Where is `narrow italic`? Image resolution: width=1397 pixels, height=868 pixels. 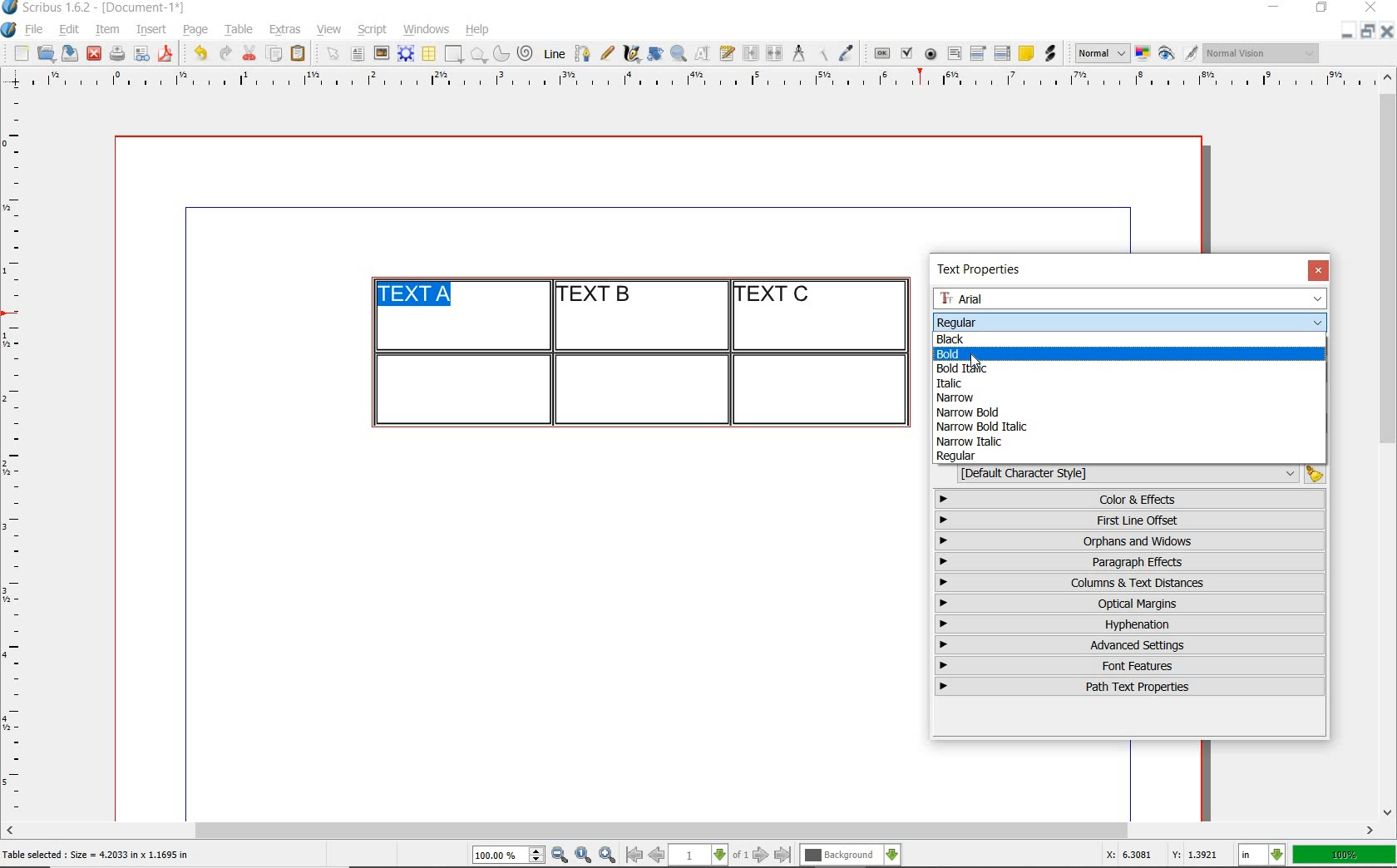 narrow italic is located at coordinates (969, 441).